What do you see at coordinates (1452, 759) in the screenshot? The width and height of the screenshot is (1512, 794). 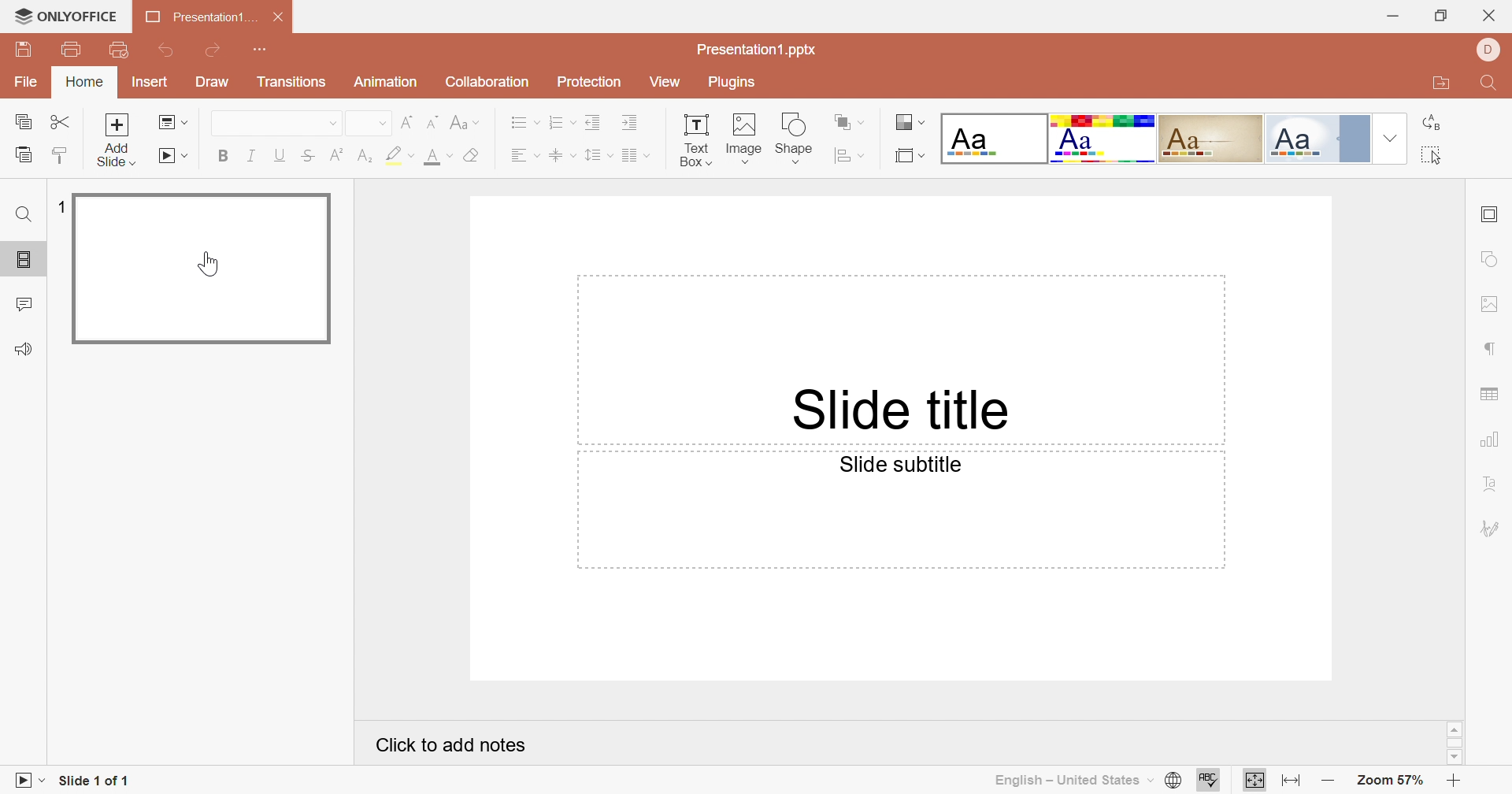 I see `Scroll Down` at bounding box center [1452, 759].